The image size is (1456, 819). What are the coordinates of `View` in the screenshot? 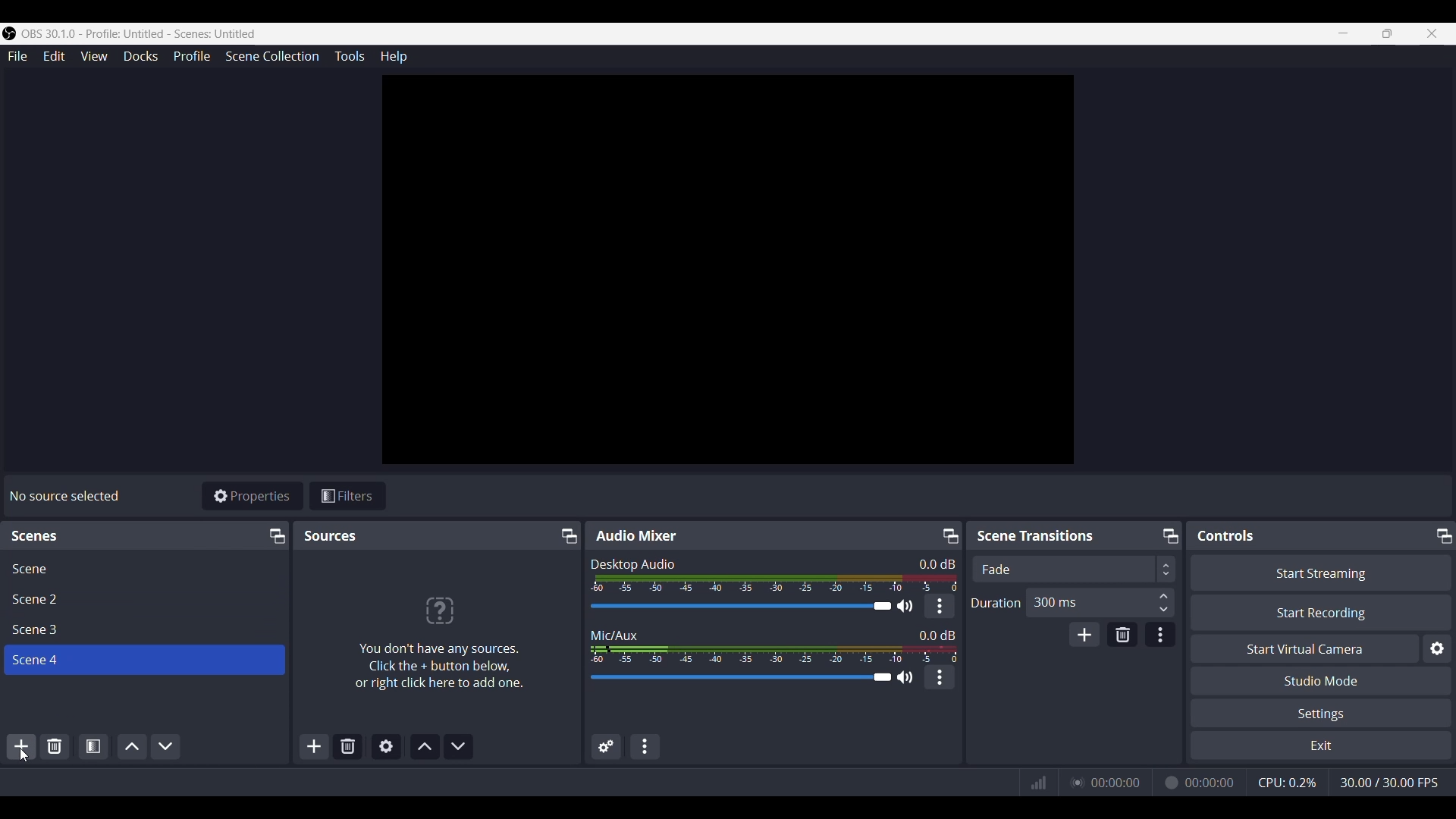 It's located at (94, 56).